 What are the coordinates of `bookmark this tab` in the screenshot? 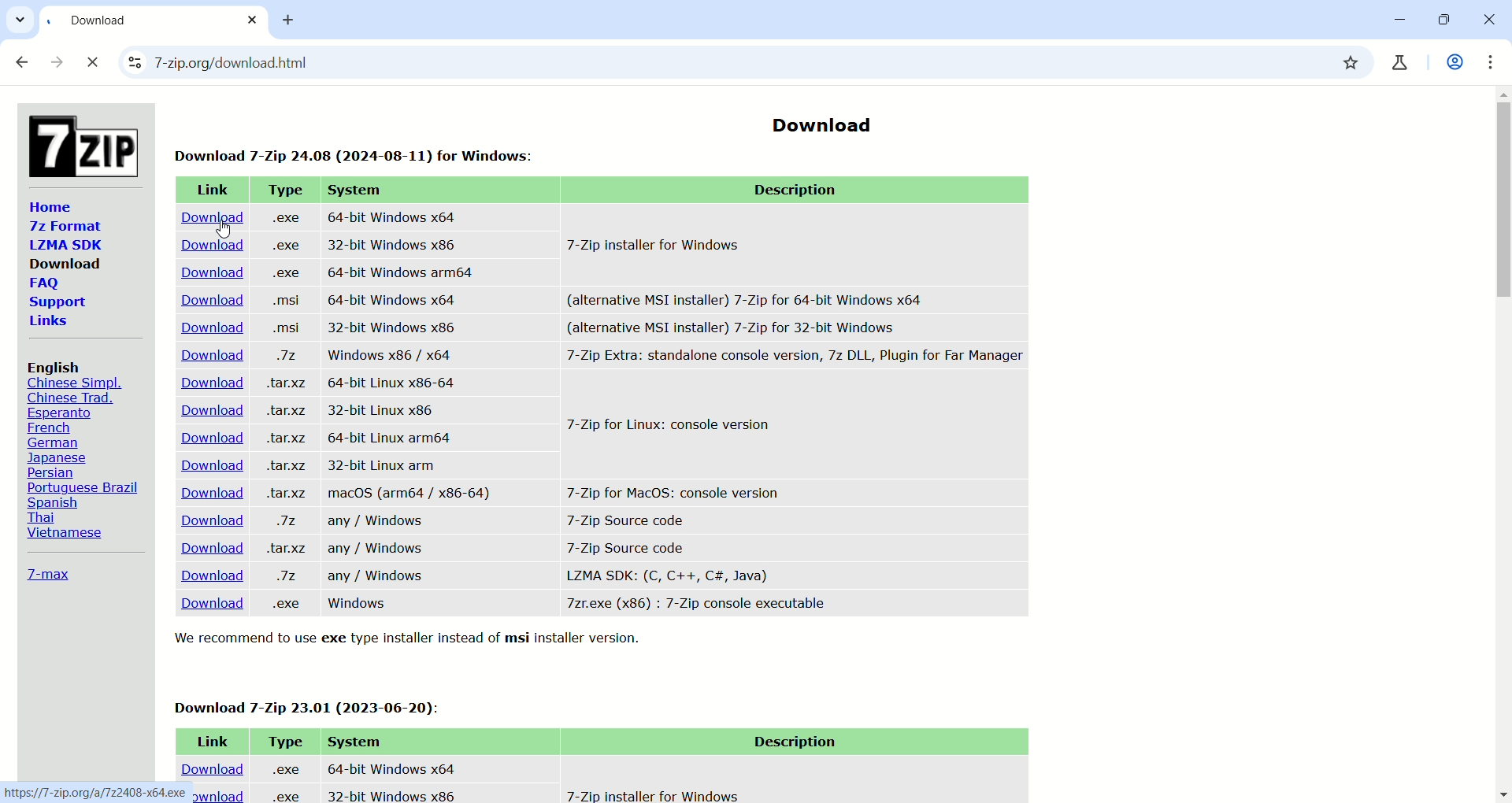 It's located at (1354, 66).